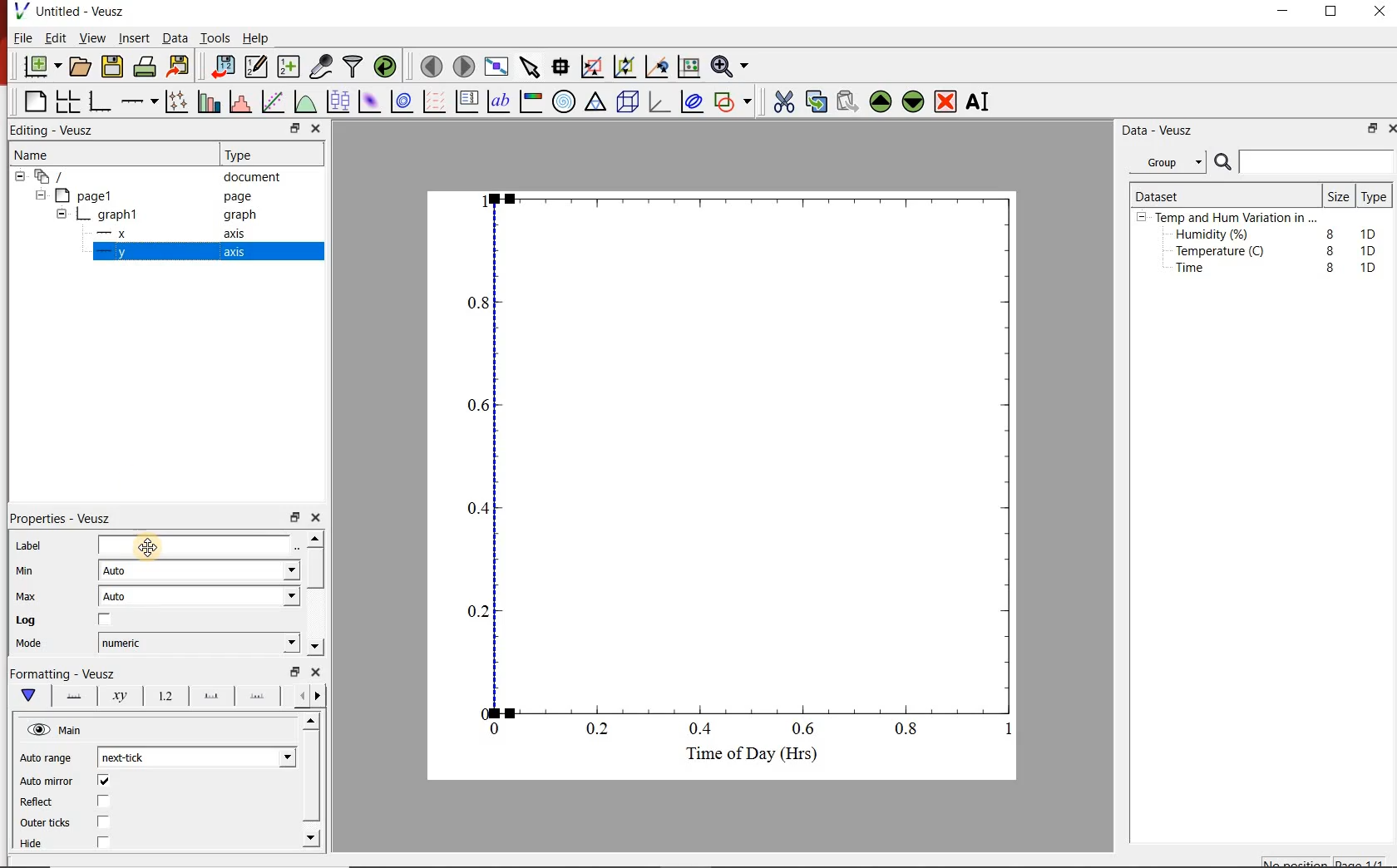 The width and height of the screenshot is (1397, 868). What do you see at coordinates (317, 128) in the screenshot?
I see `close` at bounding box center [317, 128].